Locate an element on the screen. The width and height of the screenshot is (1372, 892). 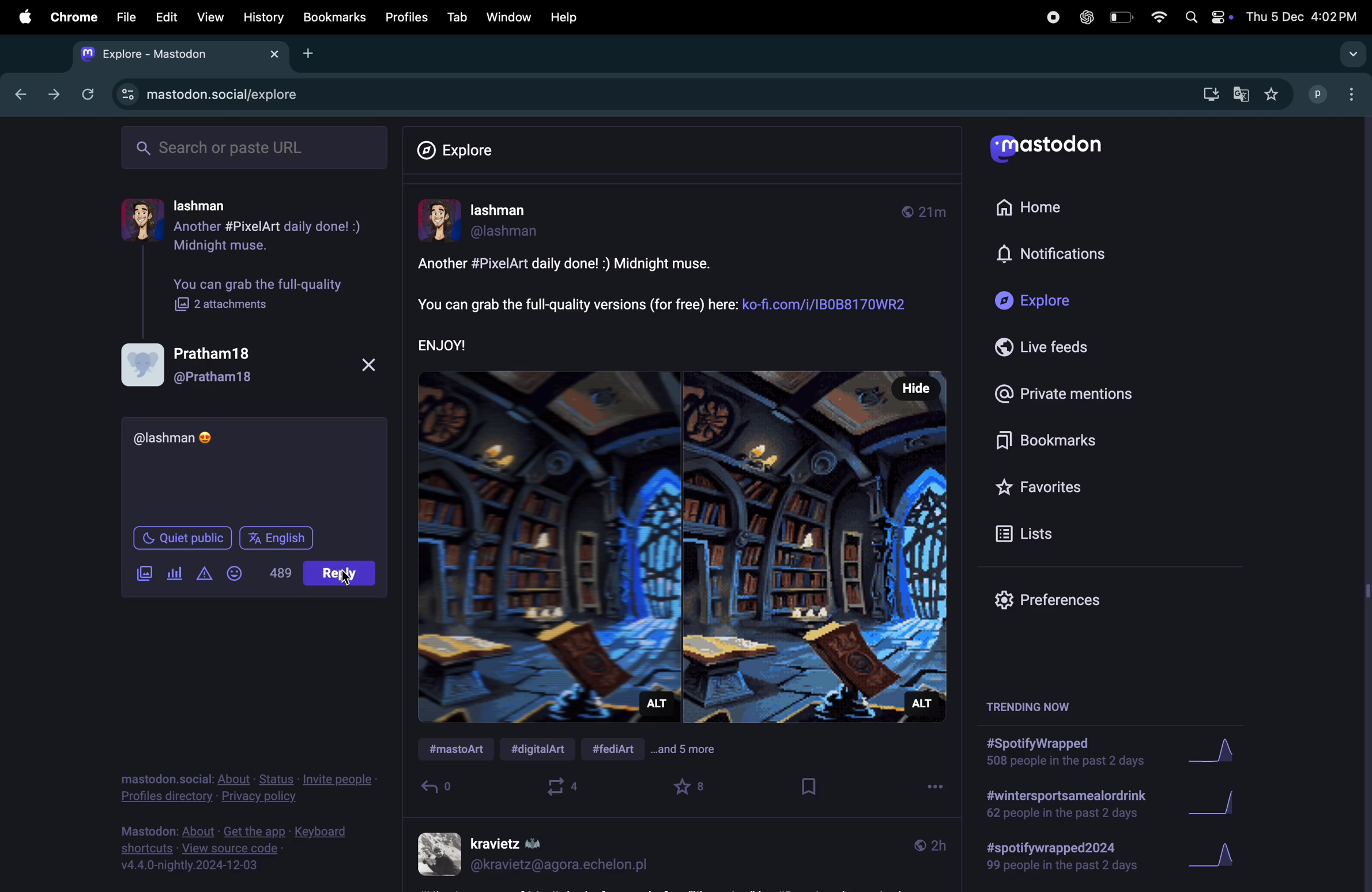
notifications is located at coordinates (1093, 256).